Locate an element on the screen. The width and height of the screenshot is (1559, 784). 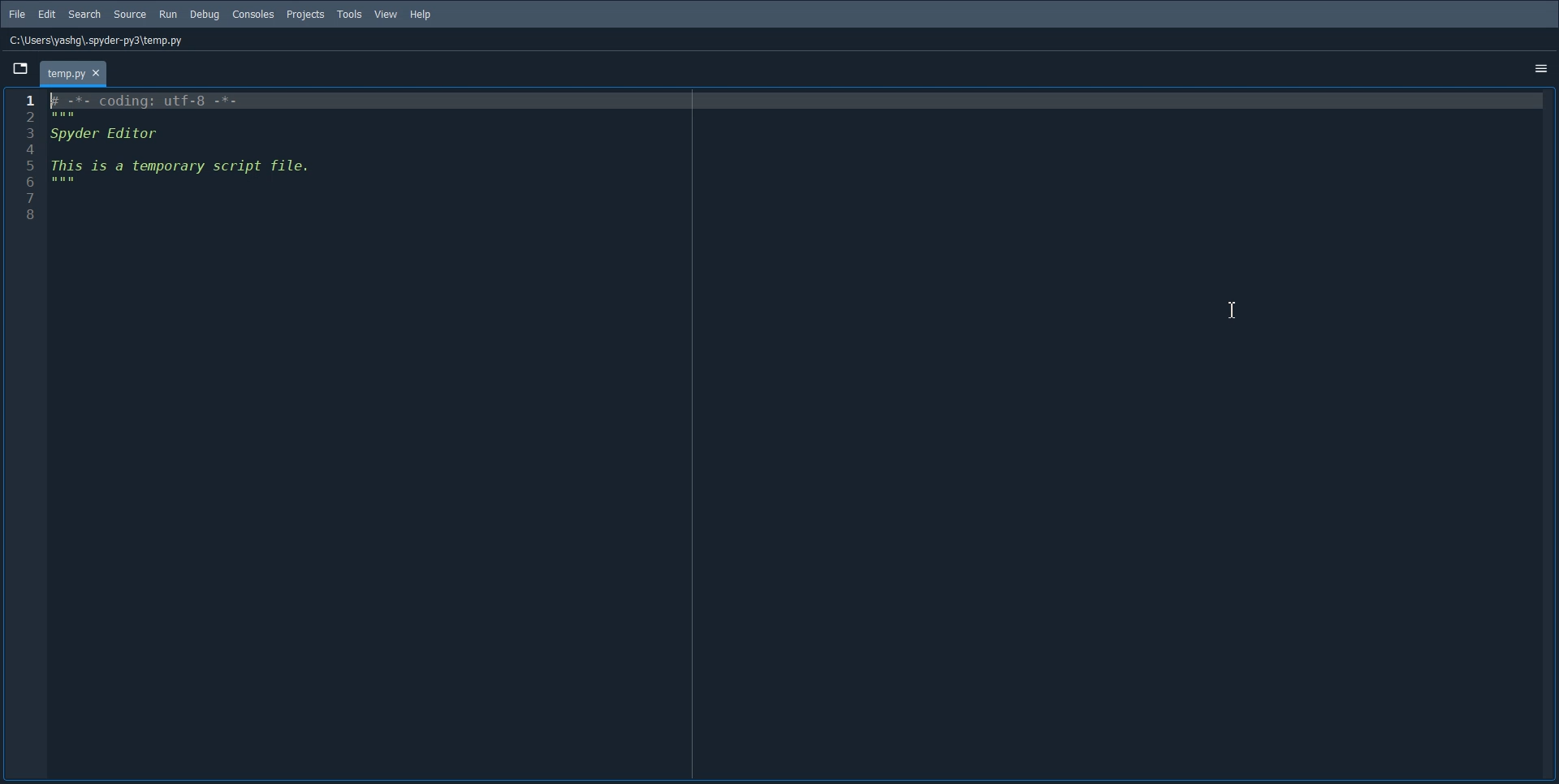
Consoles is located at coordinates (253, 14).